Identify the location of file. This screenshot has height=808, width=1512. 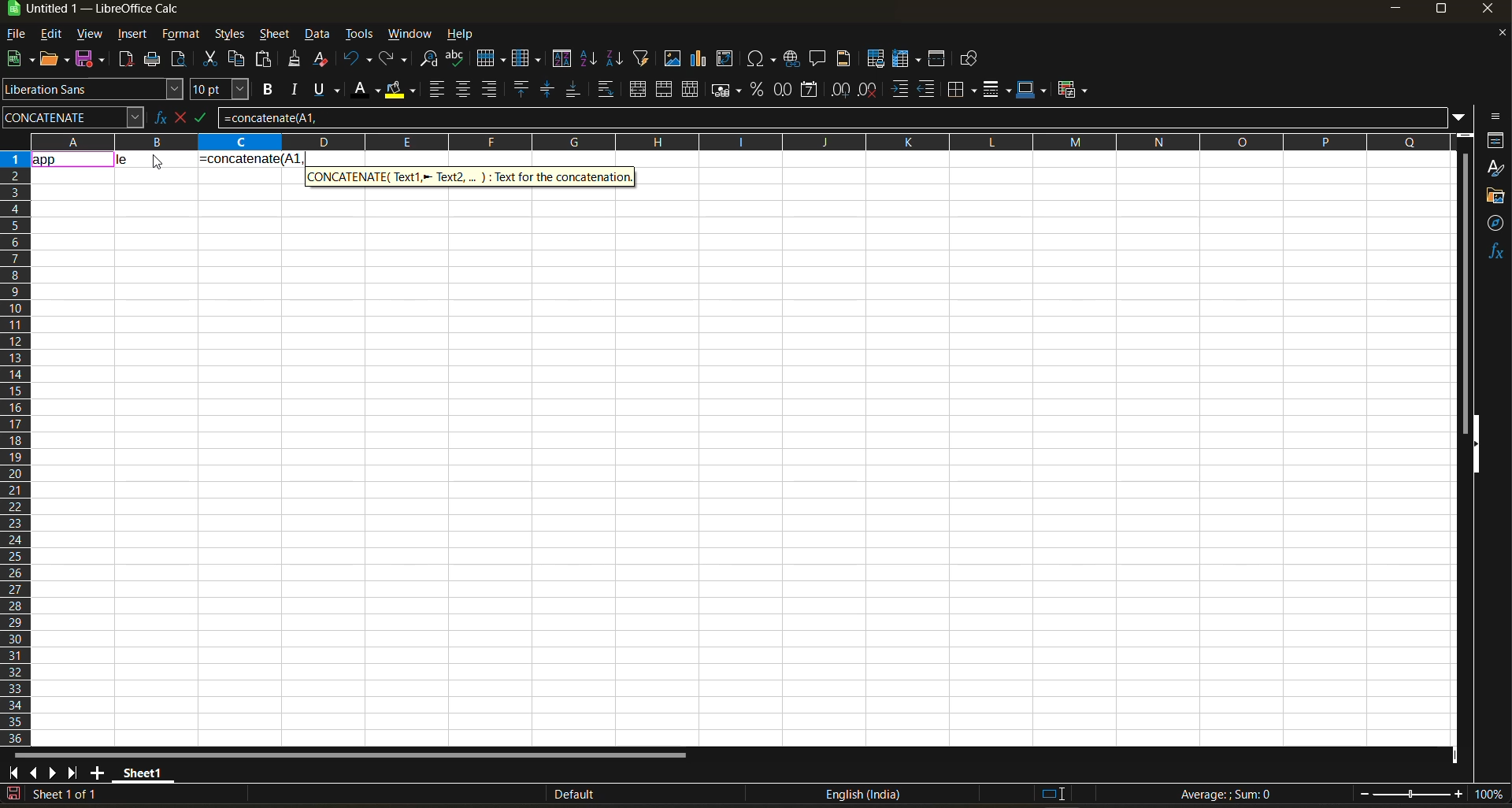
(21, 35).